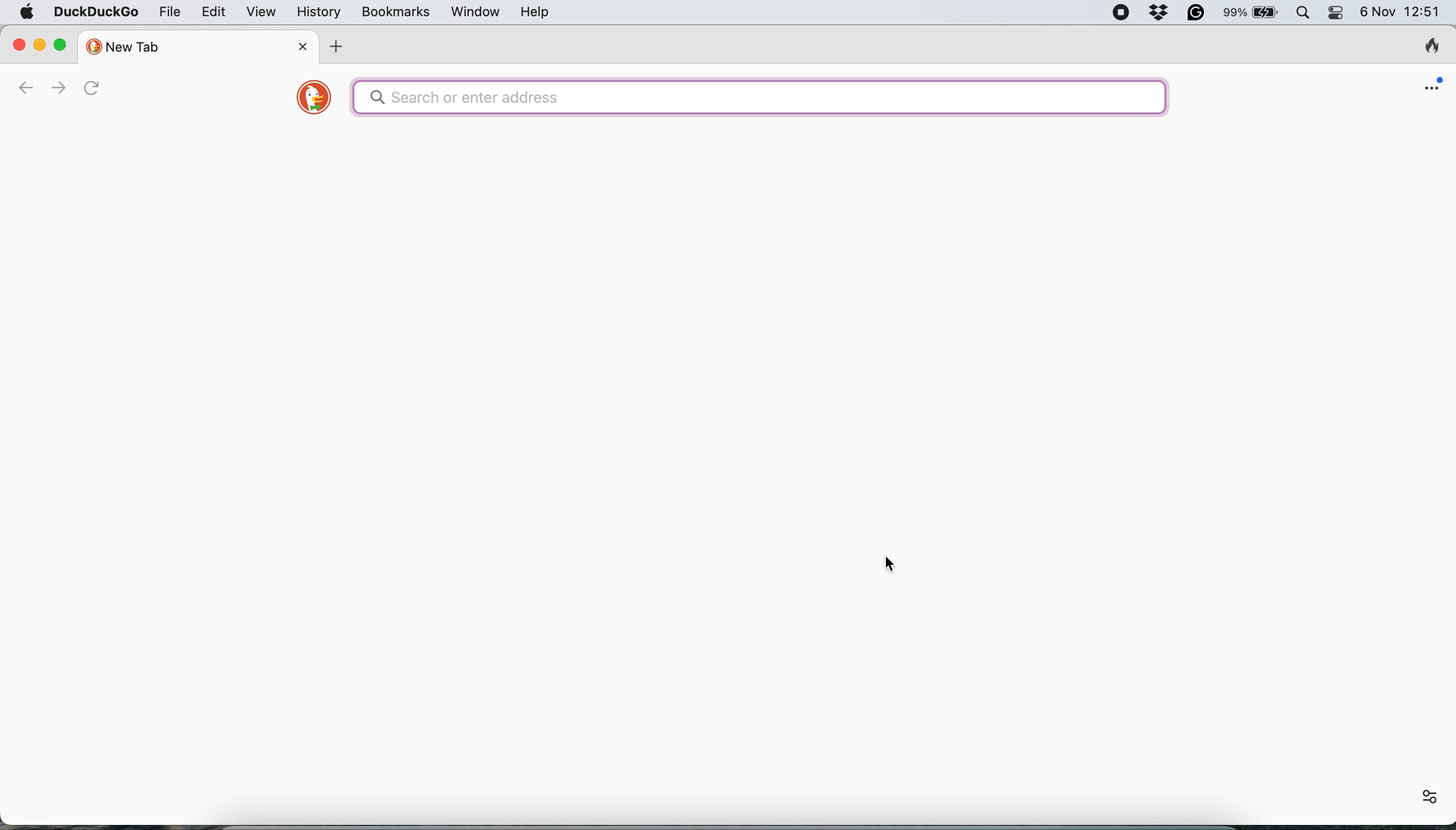  What do you see at coordinates (889, 564) in the screenshot?
I see `cursor` at bounding box center [889, 564].